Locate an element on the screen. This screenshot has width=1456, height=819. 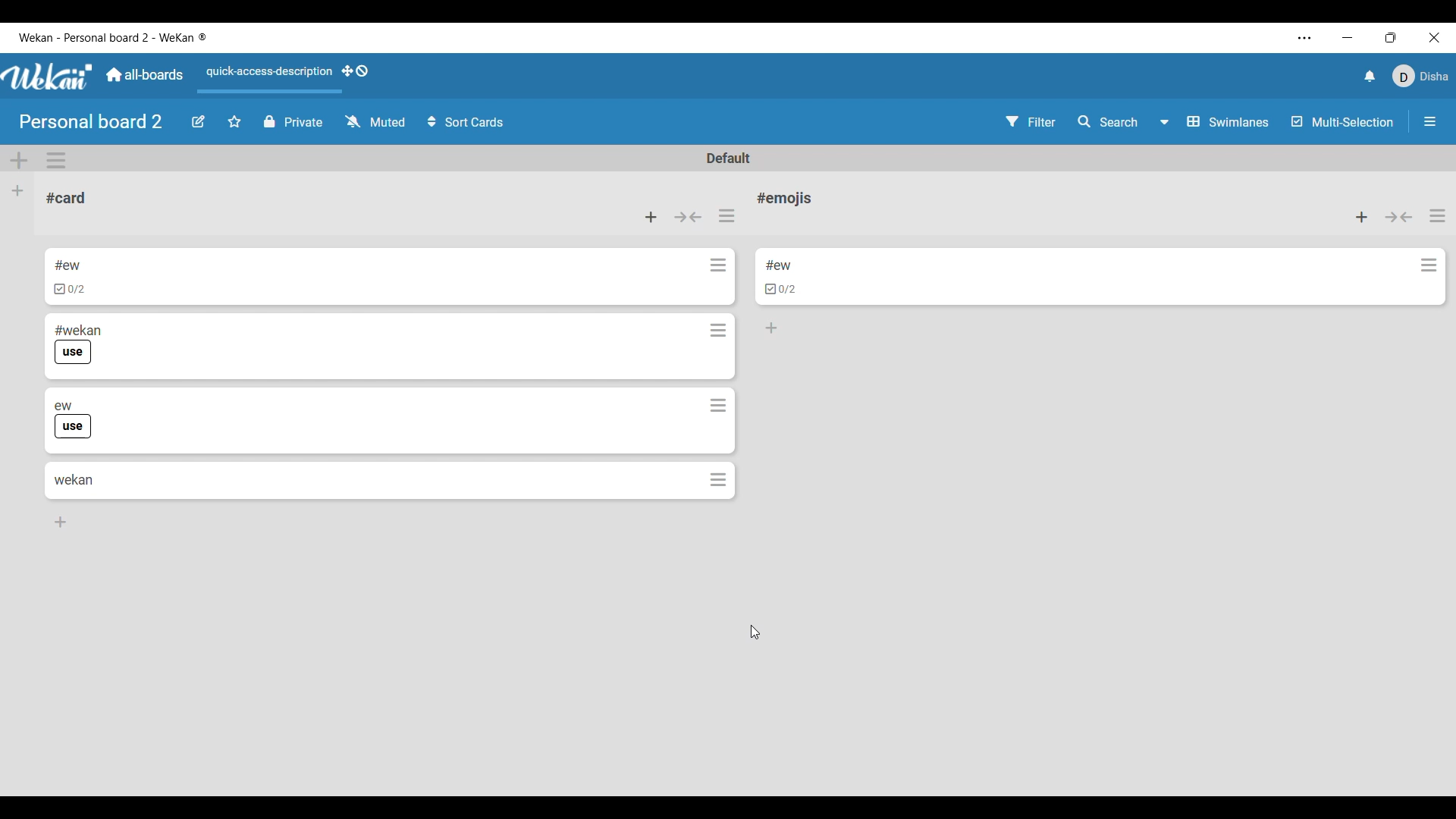
Current account is located at coordinates (1421, 76).